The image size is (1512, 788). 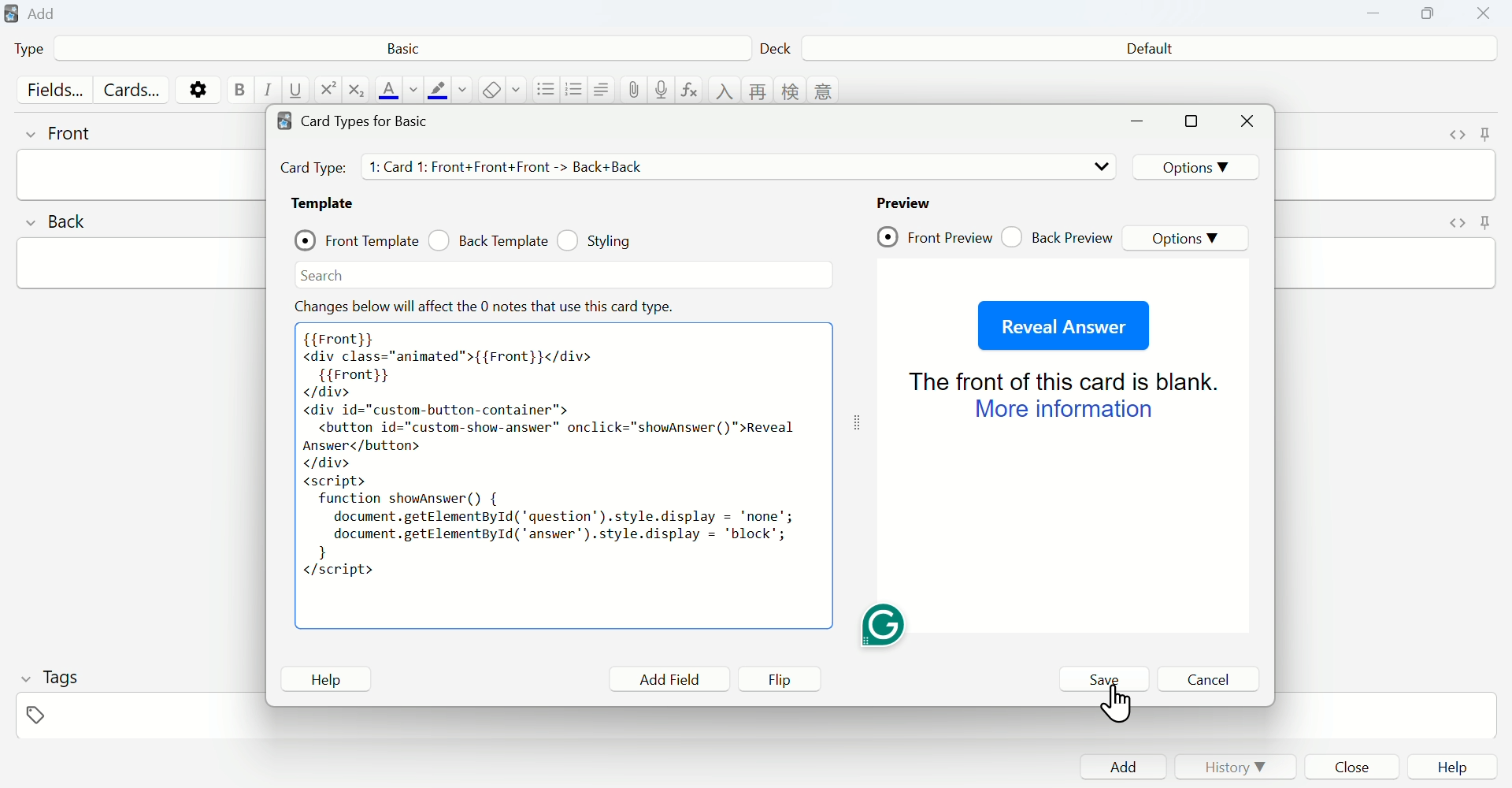 What do you see at coordinates (487, 240) in the screenshot?
I see `Back Template` at bounding box center [487, 240].